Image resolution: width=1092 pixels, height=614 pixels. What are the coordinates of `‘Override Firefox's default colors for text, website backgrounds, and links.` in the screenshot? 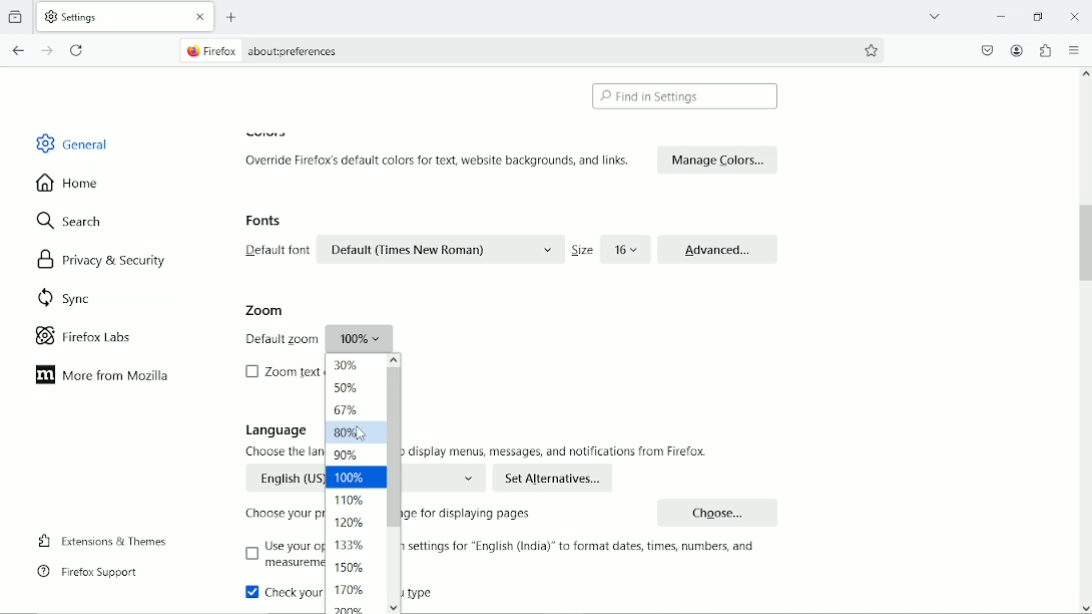 It's located at (441, 160).